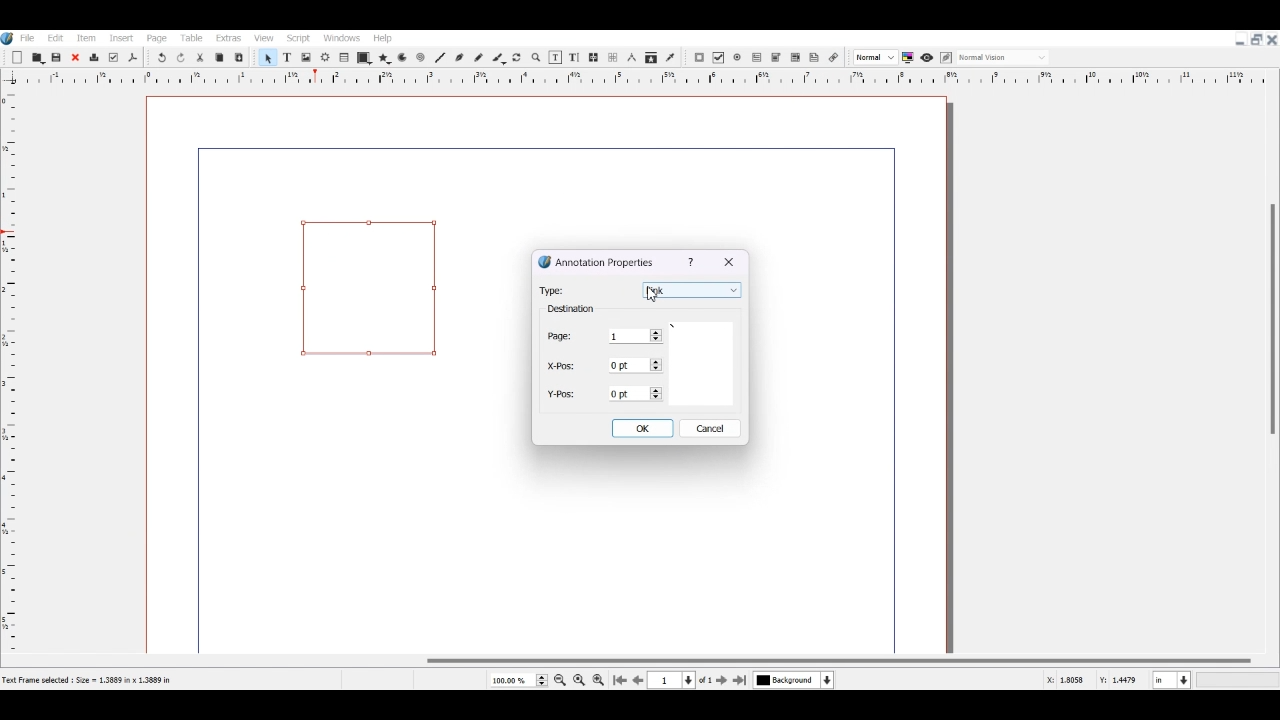 Image resolution: width=1280 pixels, height=720 pixels. I want to click on X, Y Co-ordinate, so click(1067, 680).